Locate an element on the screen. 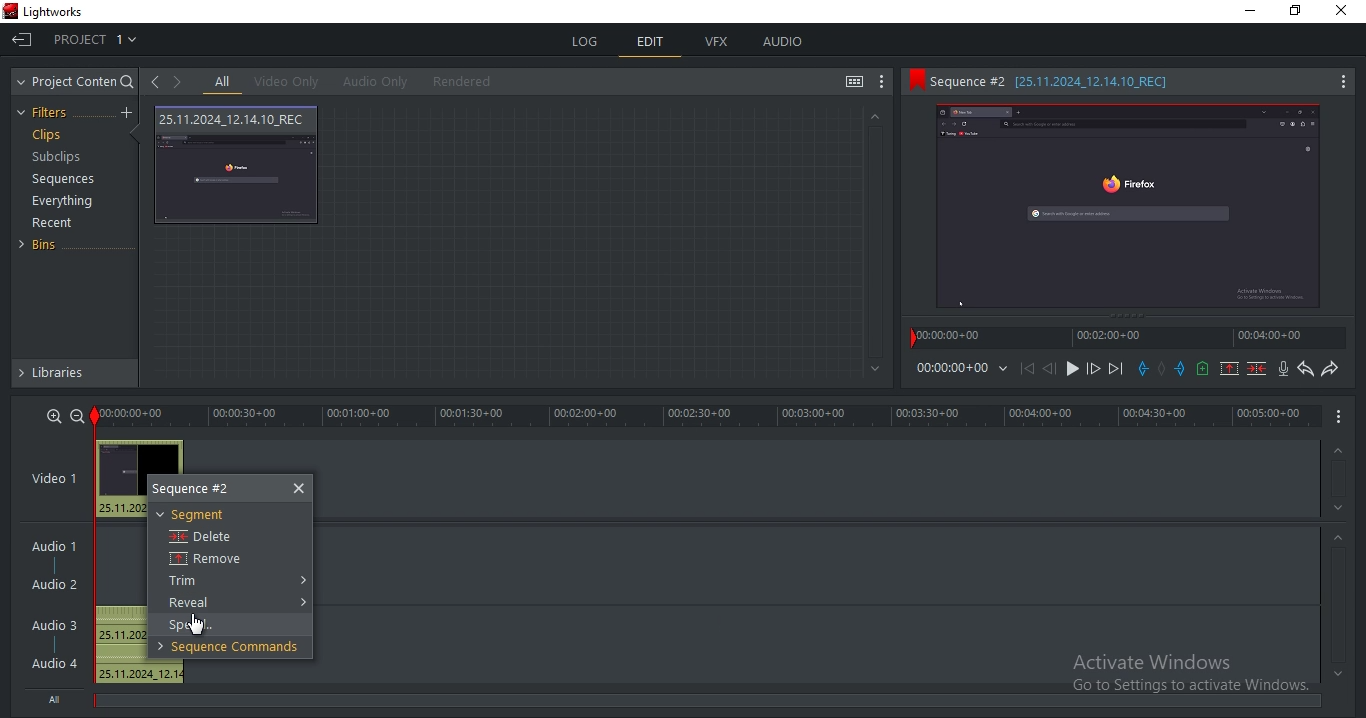  timeline is located at coordinates (1130, 341).